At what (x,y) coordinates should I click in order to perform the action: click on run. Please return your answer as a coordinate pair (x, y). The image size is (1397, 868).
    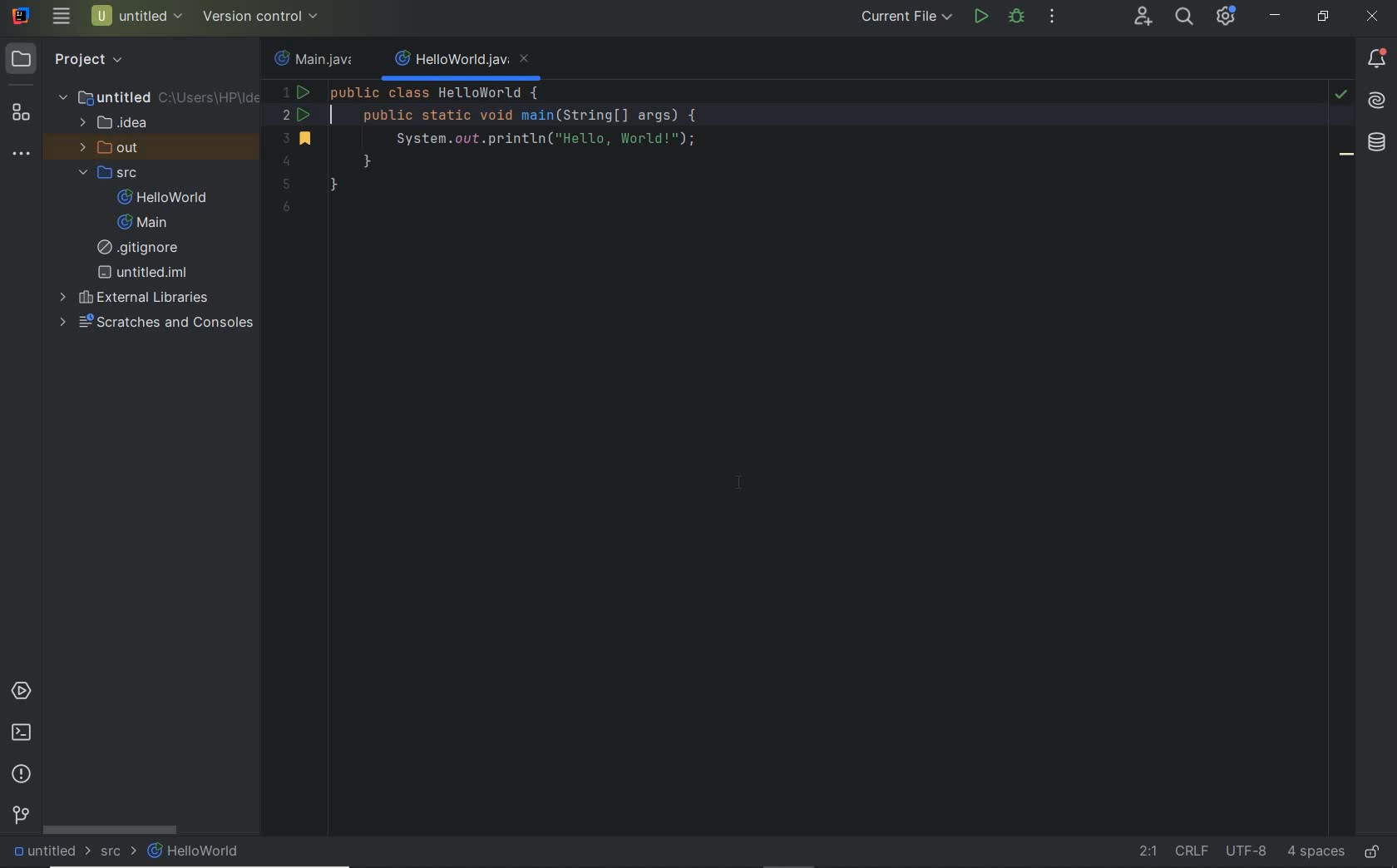
    Looking at the image, I should click on (981, 17).